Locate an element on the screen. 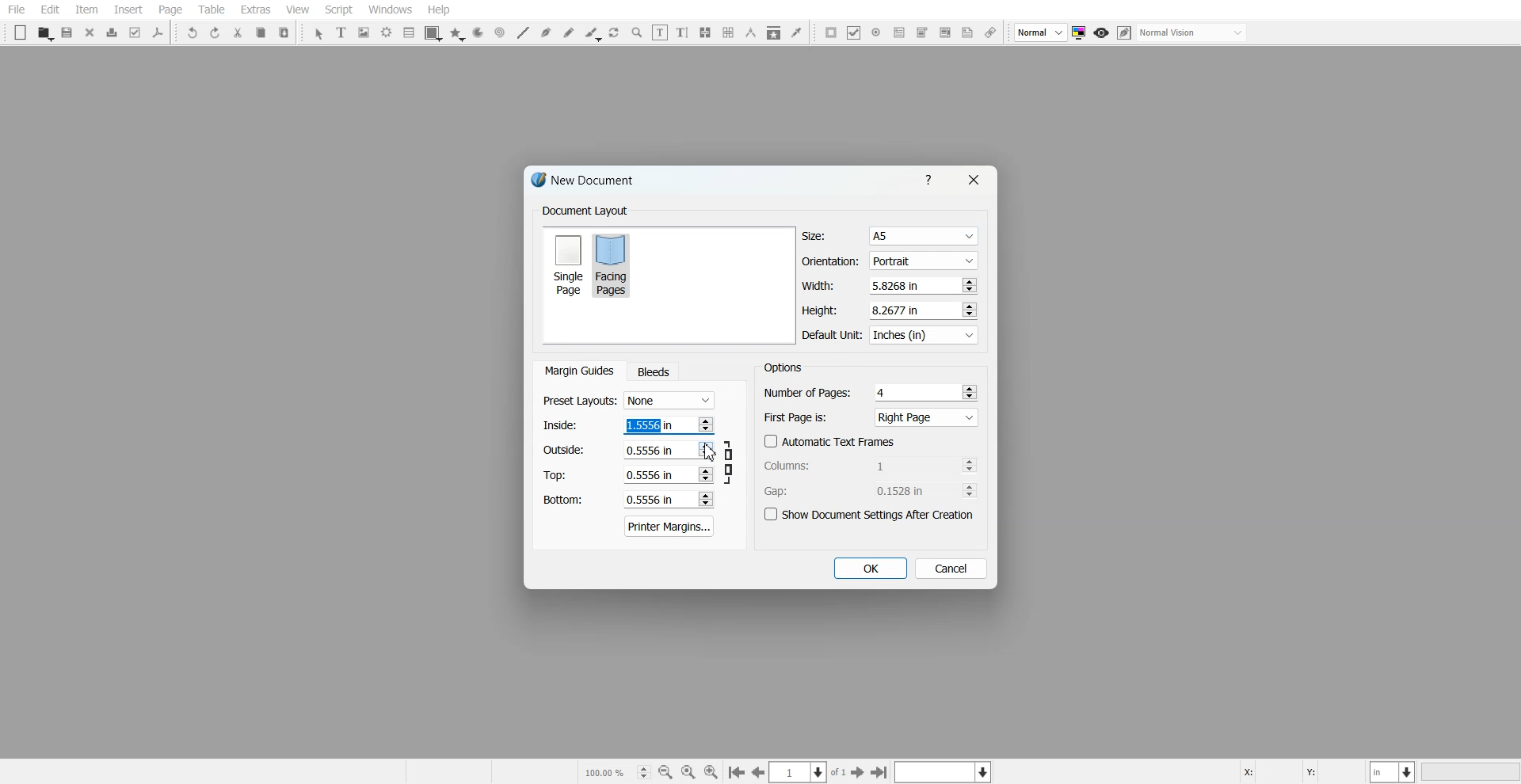 The image size is (1521, 784). Single Page is located at coordinates (567, 264).